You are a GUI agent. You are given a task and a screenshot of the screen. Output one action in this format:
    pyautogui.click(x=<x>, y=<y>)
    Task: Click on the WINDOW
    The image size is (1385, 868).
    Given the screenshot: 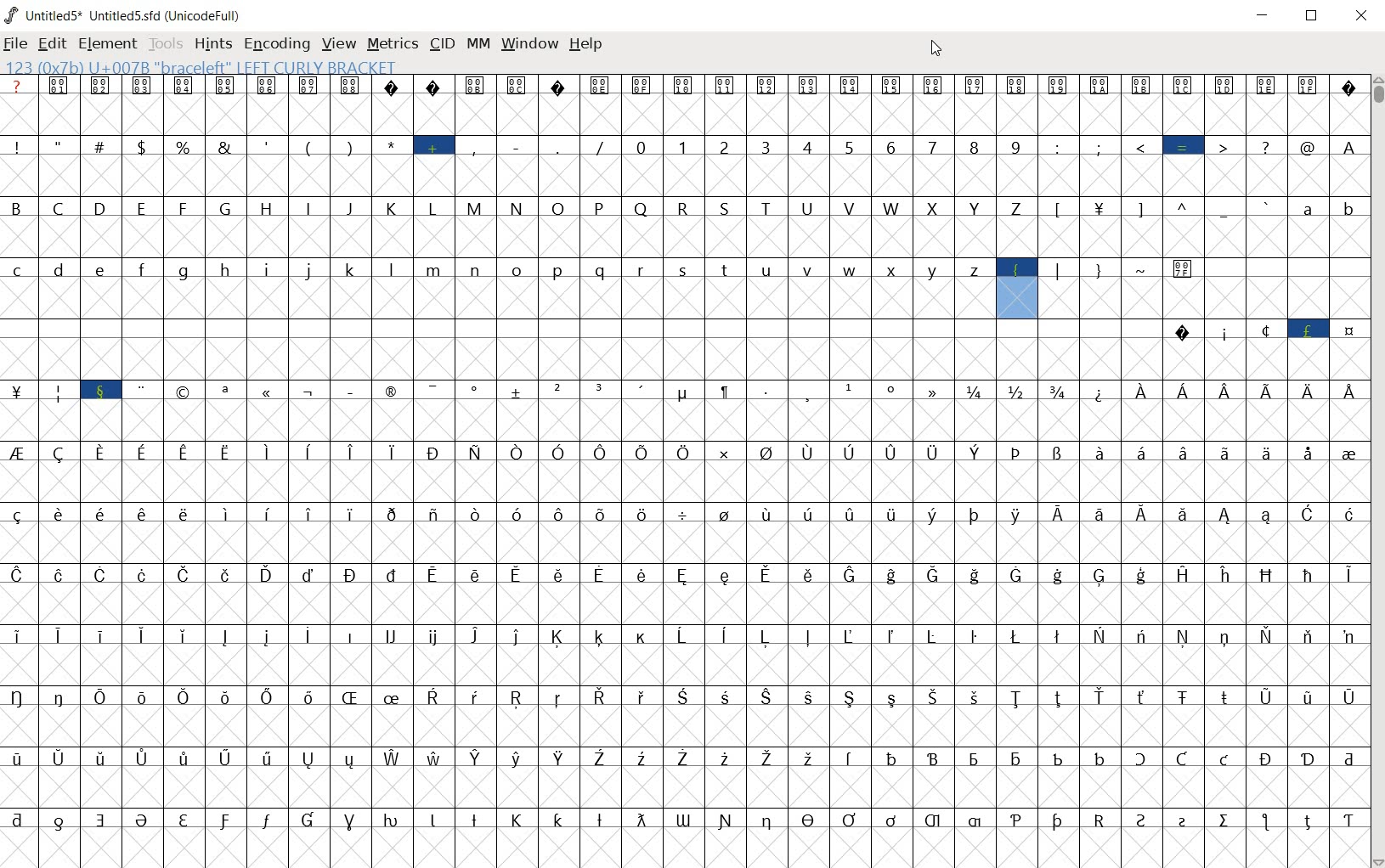 What is the action you would take?
    pyautogui.click(x=530, y=42)
    